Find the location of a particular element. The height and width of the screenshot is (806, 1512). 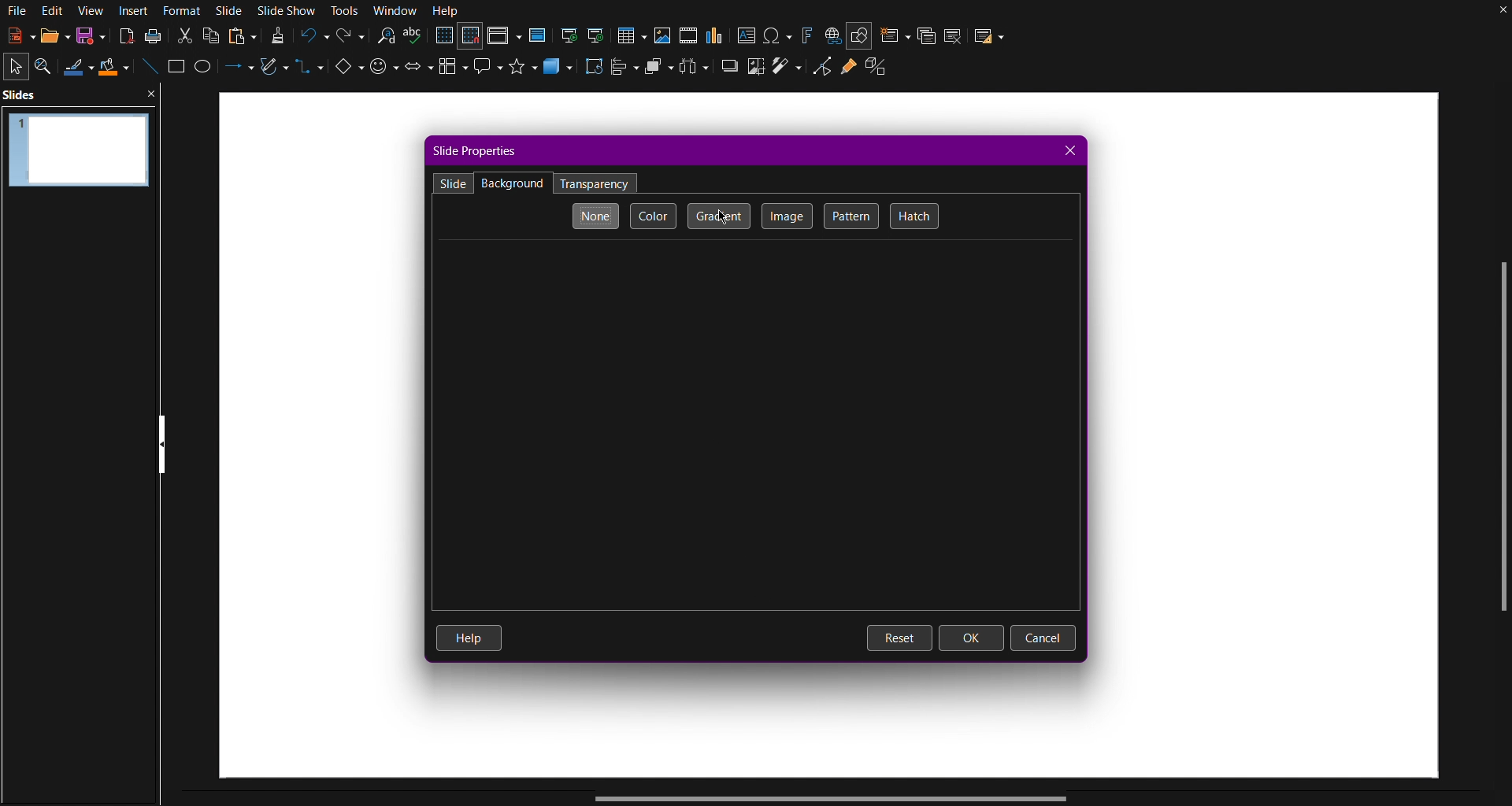

Slide Show is located at coordinates (290, 10).